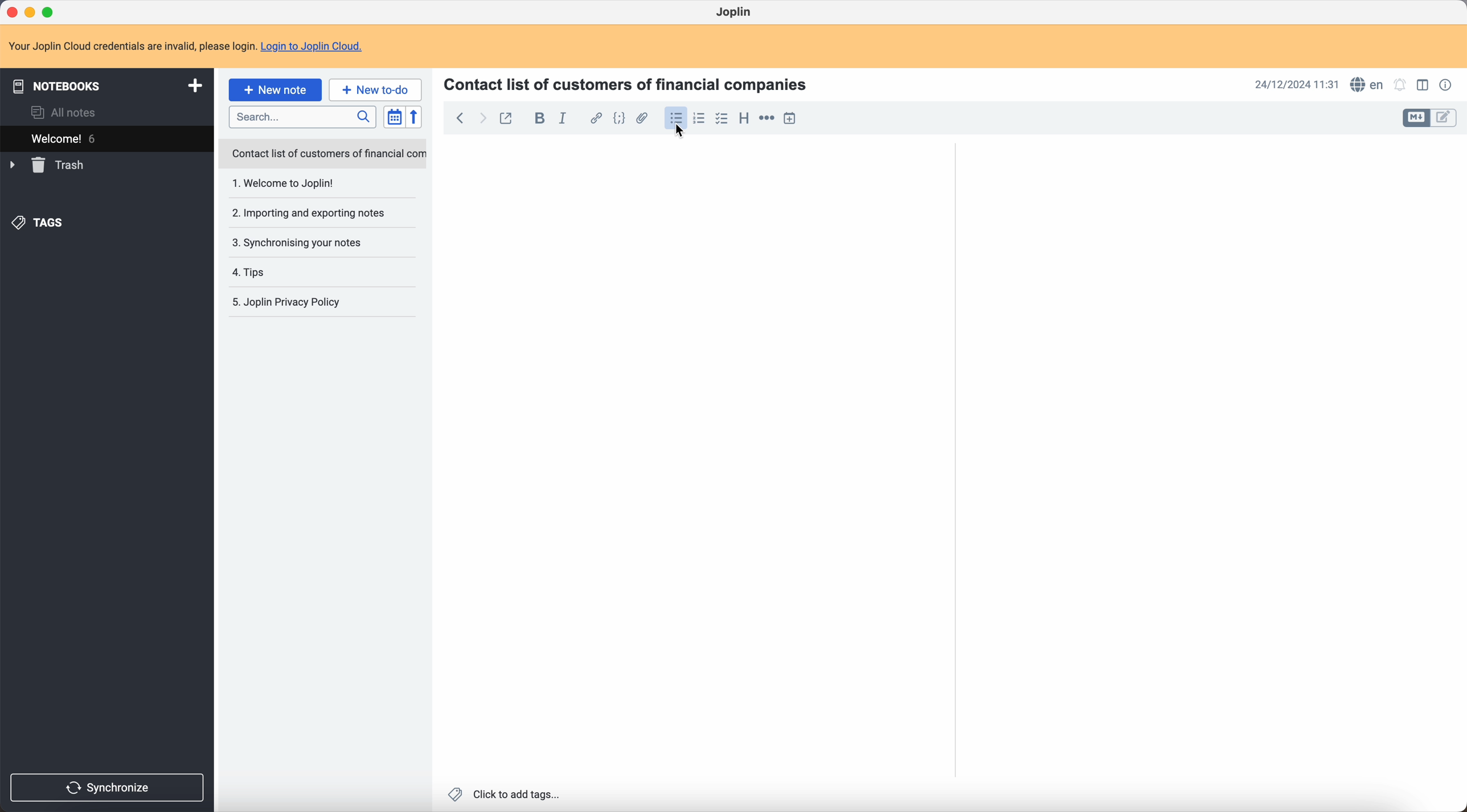 This screenshot has width=1467, height=812. What do you see at coordinates (51, 10) in the screenshot?
I see `maximize` at bounding box center [51, 10].